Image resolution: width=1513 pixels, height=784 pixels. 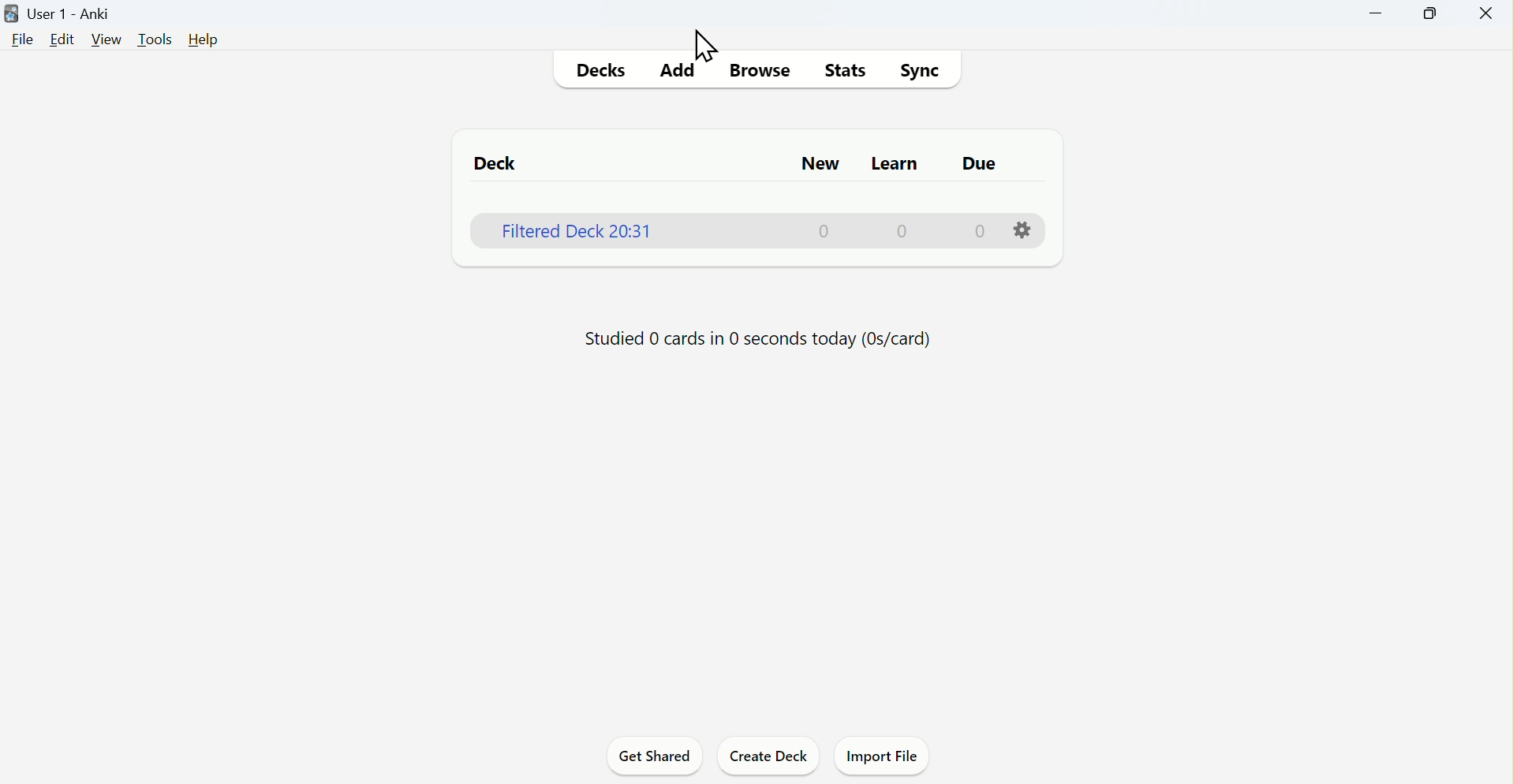 I want to click on Deck, so click(x=502, y=163).